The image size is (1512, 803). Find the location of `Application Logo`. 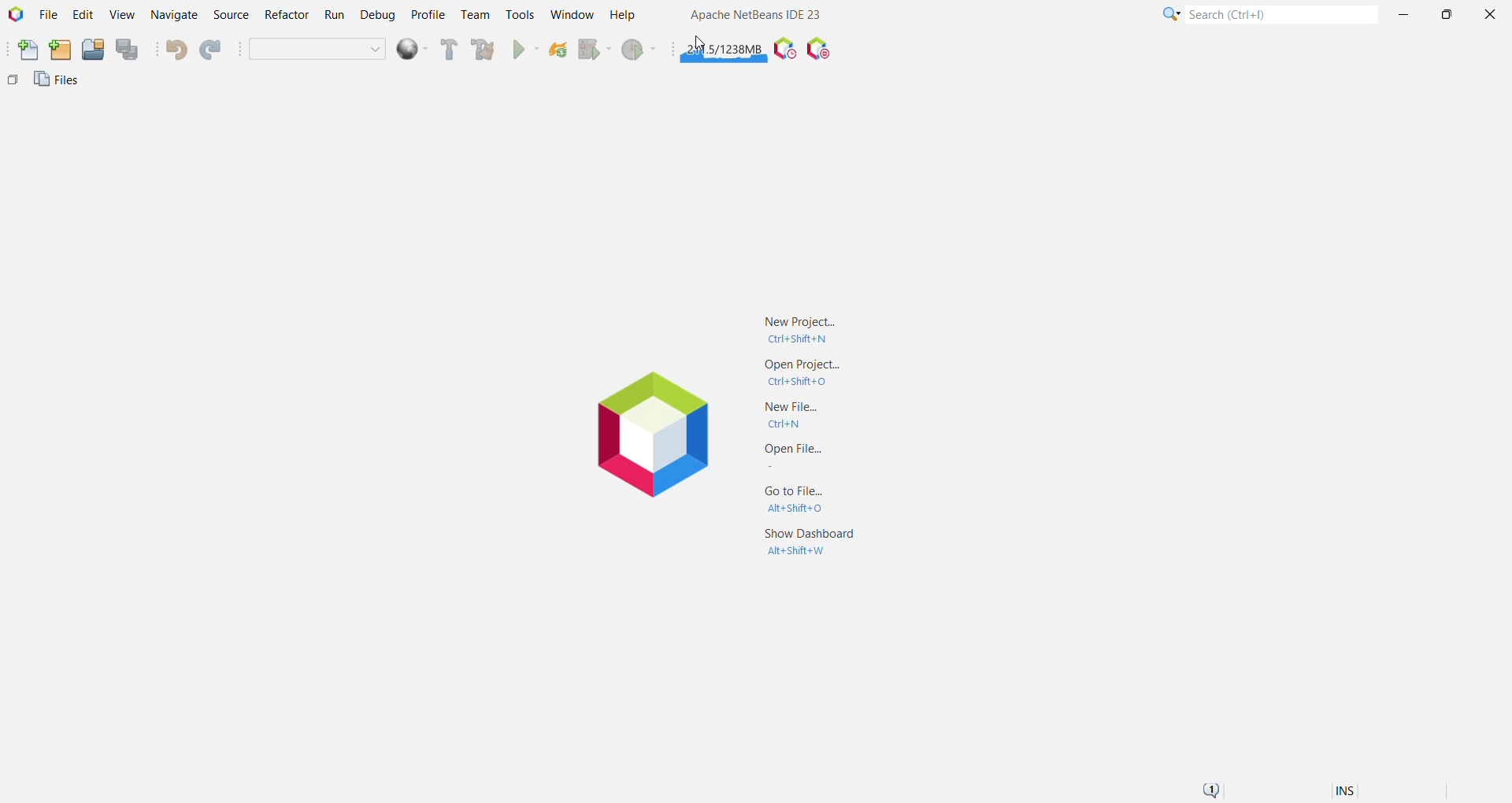

Application Logo is located at coordinates (14, 15).